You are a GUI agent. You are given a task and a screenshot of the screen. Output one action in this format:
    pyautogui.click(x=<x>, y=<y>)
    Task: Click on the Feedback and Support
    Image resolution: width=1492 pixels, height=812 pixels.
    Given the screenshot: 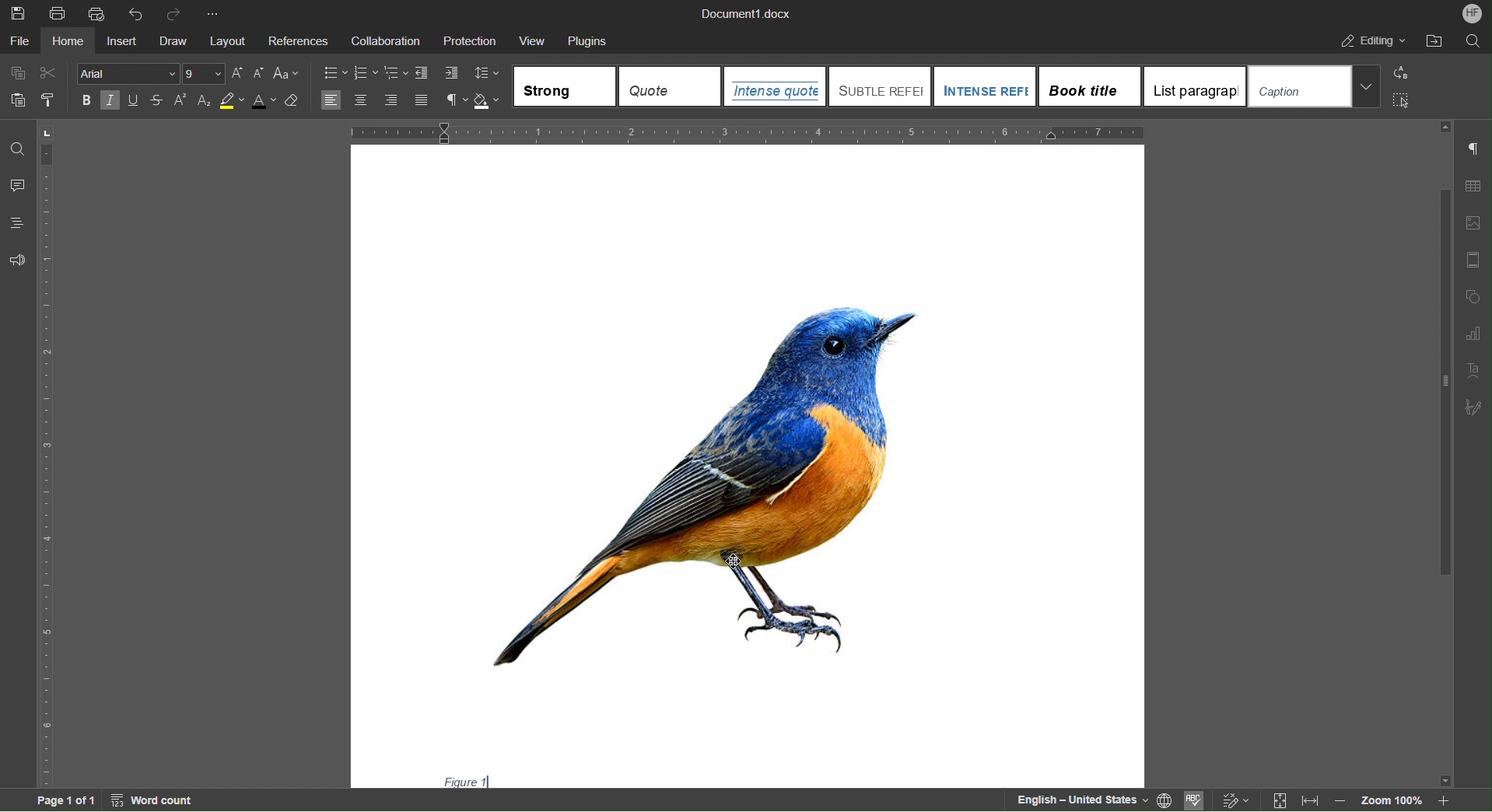 What is the action you would take?
    pyautogui.click(x=17, y=259)
    